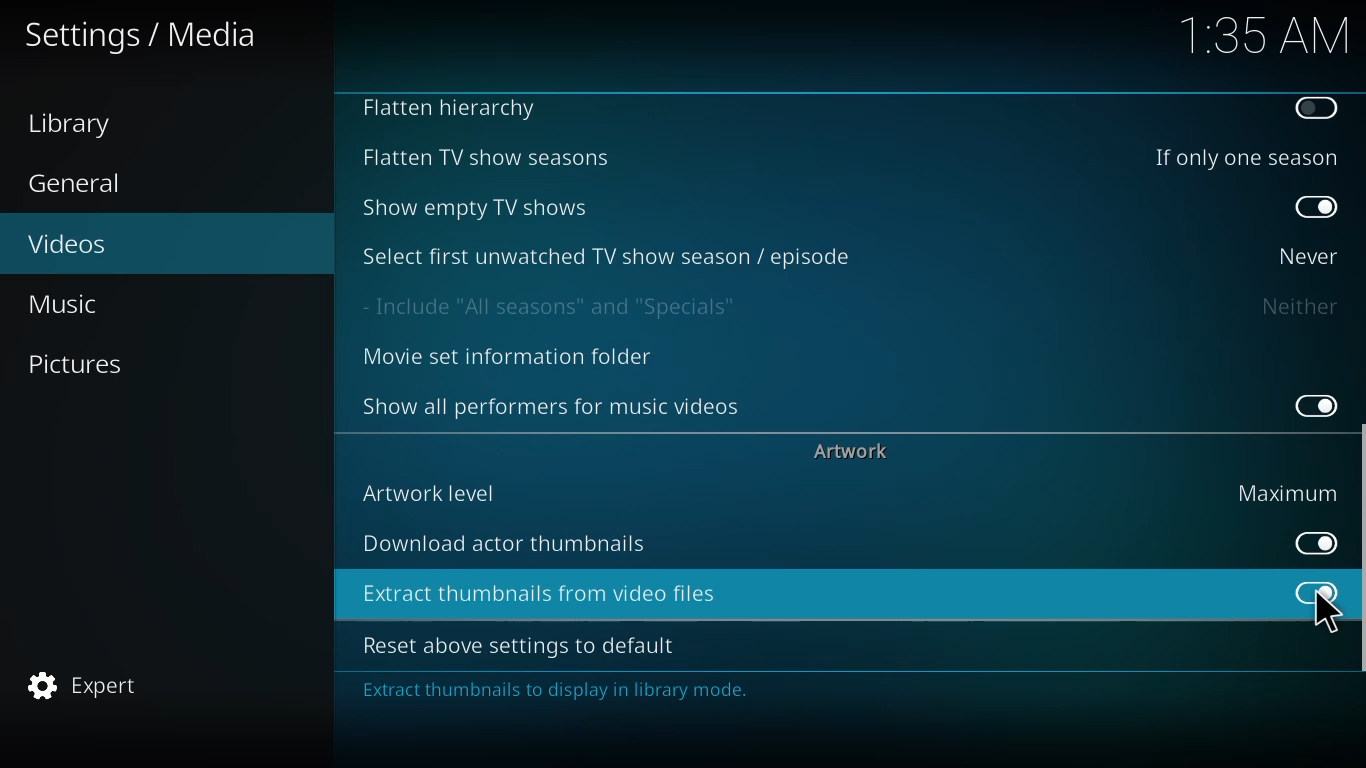 The width and height of the screenshot is (1366, 768). Describe the element at coordinates (1324, 592) in the screenshot. I see `enabled` at that location.